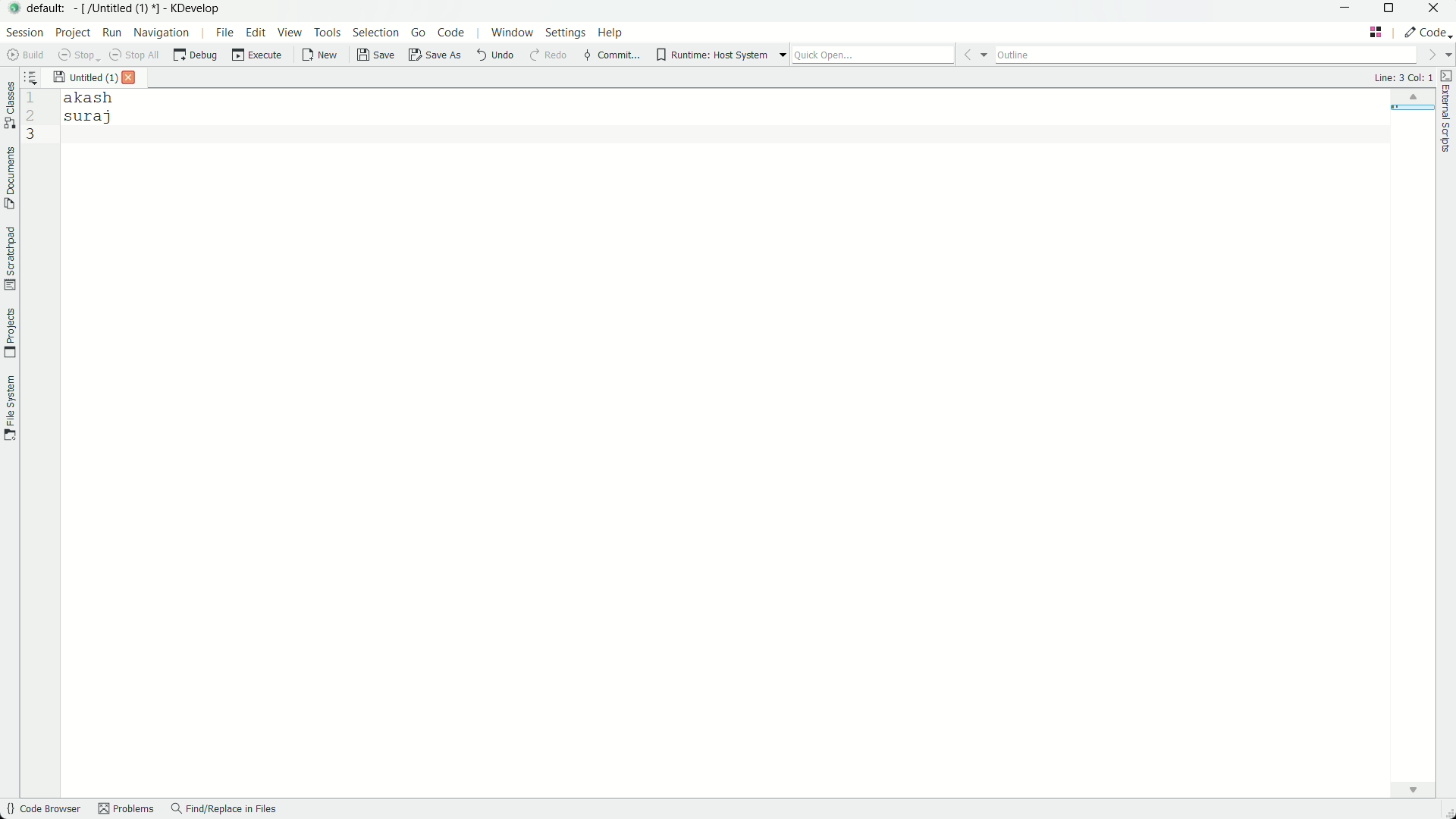 The width and height of the screenshot is (1456, 819). What do you see at coordinates (124, 8) in the screenshot?
I see `app name and location - default: [/Untitled (1) *] - KDevelop` at bounding box center [124, 8].